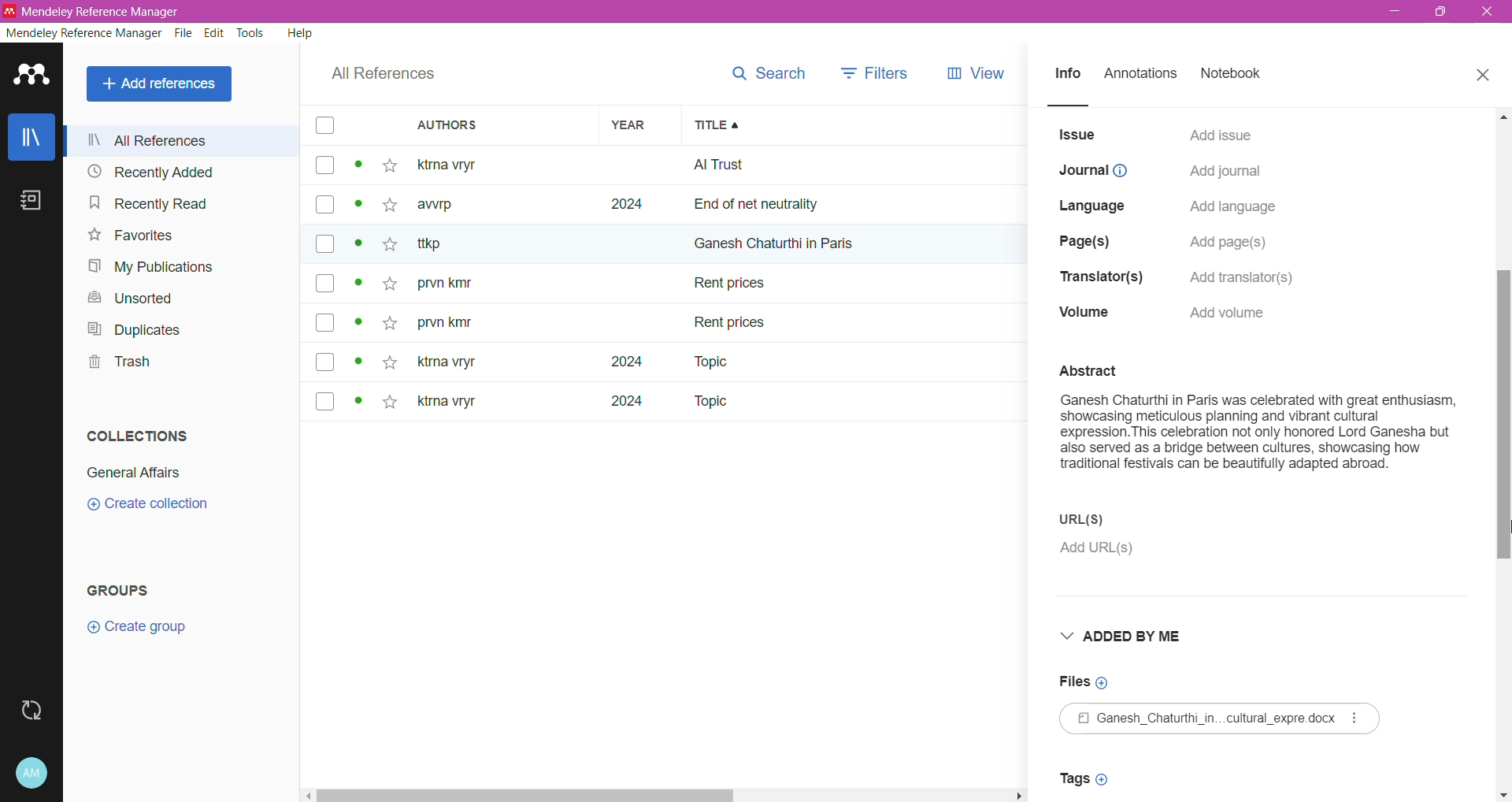  Describe the element at coordinates (34, 708) in the screenshot. I see `Last Sync` at that location.